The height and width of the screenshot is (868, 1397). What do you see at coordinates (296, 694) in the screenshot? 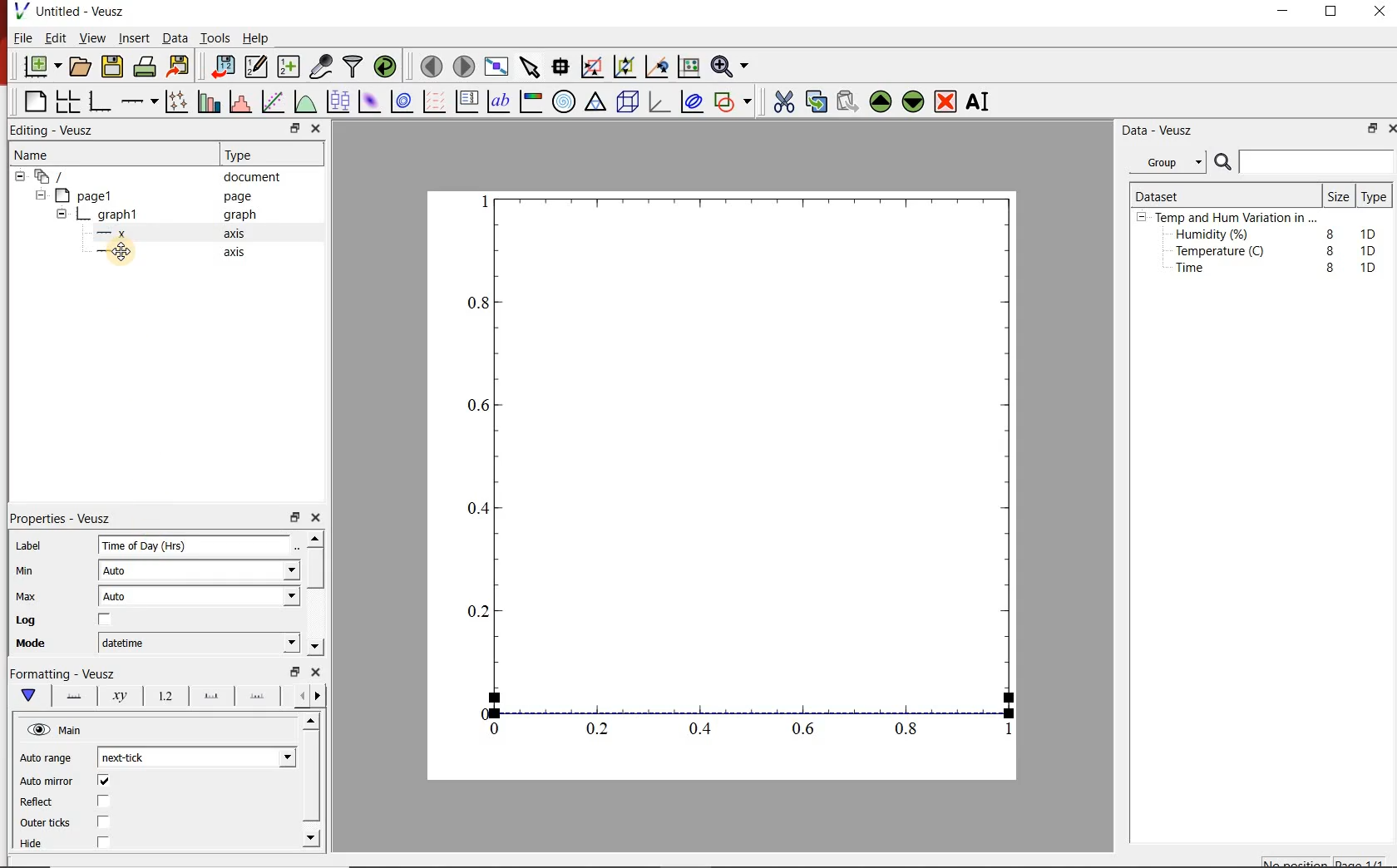
I see `go back` at bounding box center [296, 694].